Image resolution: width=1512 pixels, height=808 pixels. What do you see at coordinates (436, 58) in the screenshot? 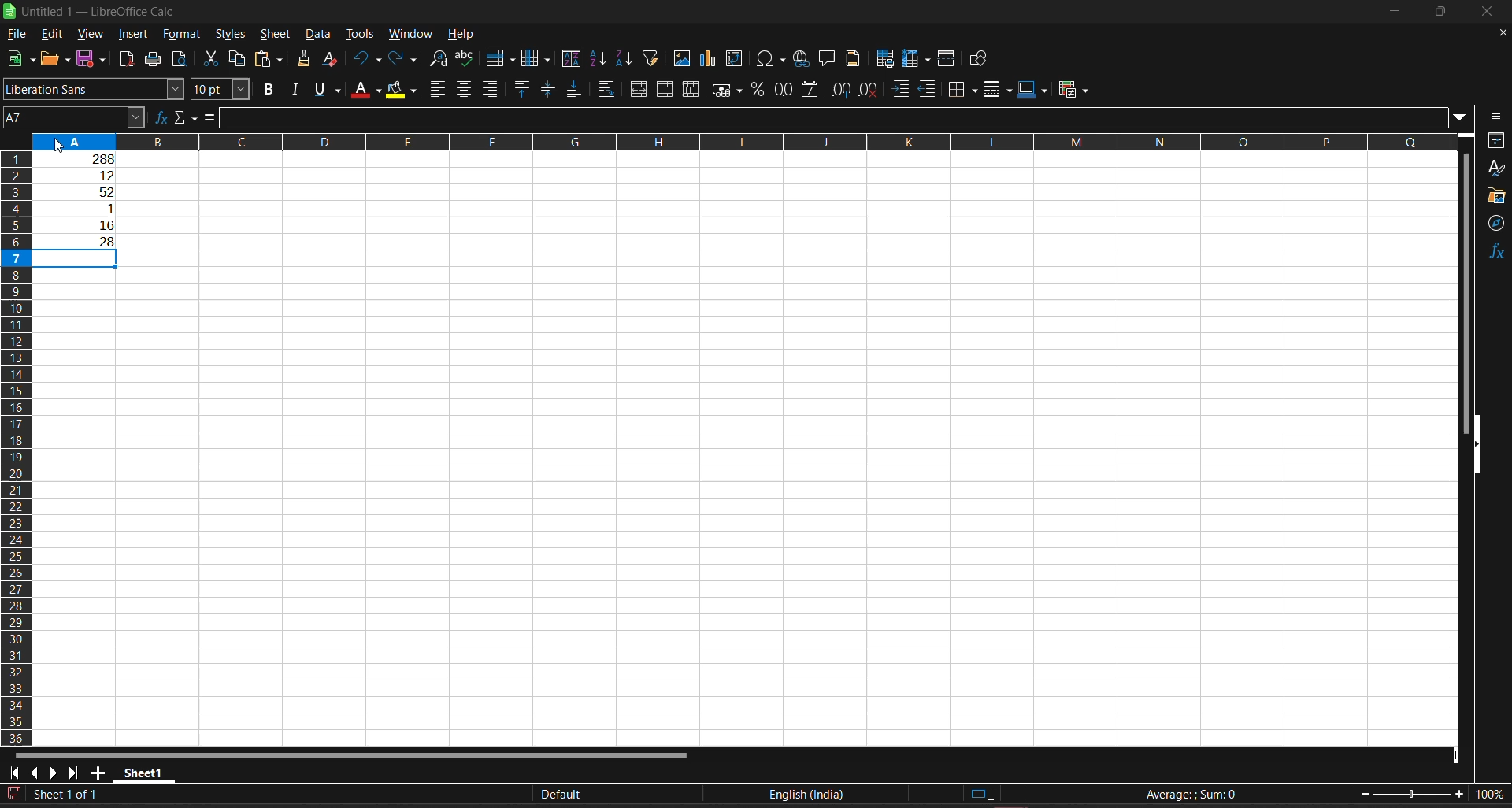
I see `find and replace` at bounding box center [436, 58].